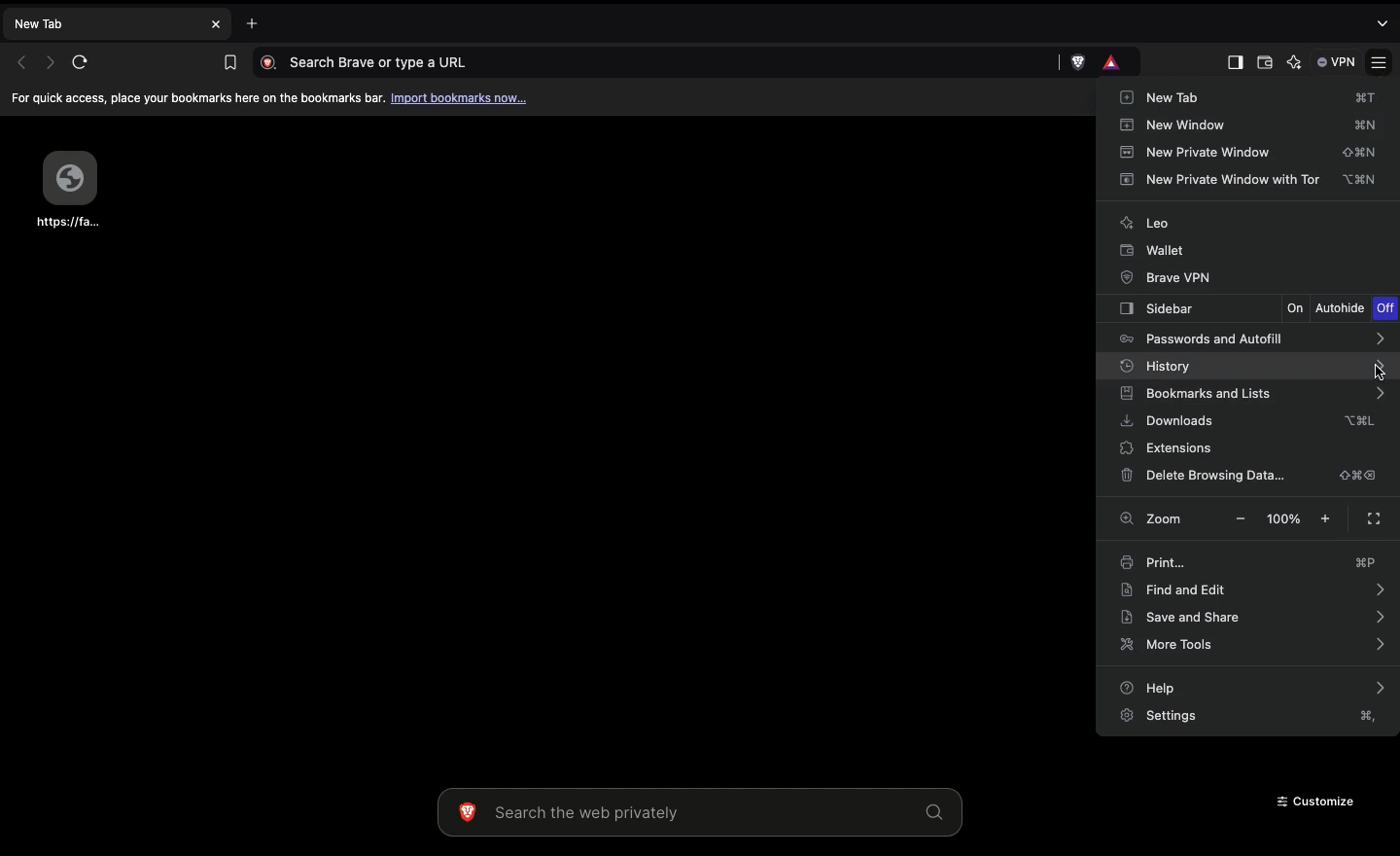 Image resolution: width=1400 pixels, height=856 pixels. Describe the element at coordinates (1245, 154) in the screenshot. I see `New private window` at that location.